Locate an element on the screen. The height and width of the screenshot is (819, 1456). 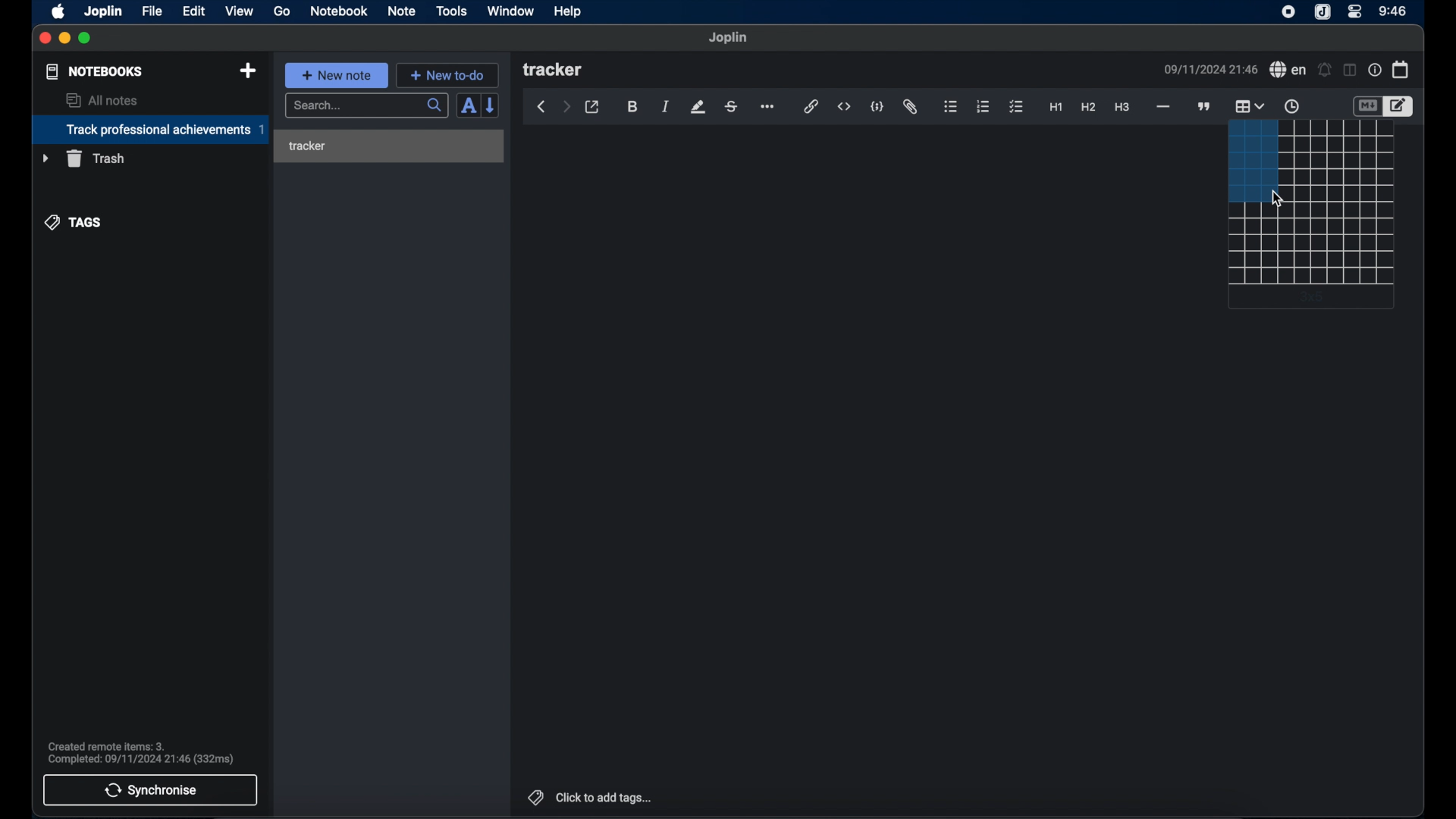
italic is located at coordinates (666, 108).